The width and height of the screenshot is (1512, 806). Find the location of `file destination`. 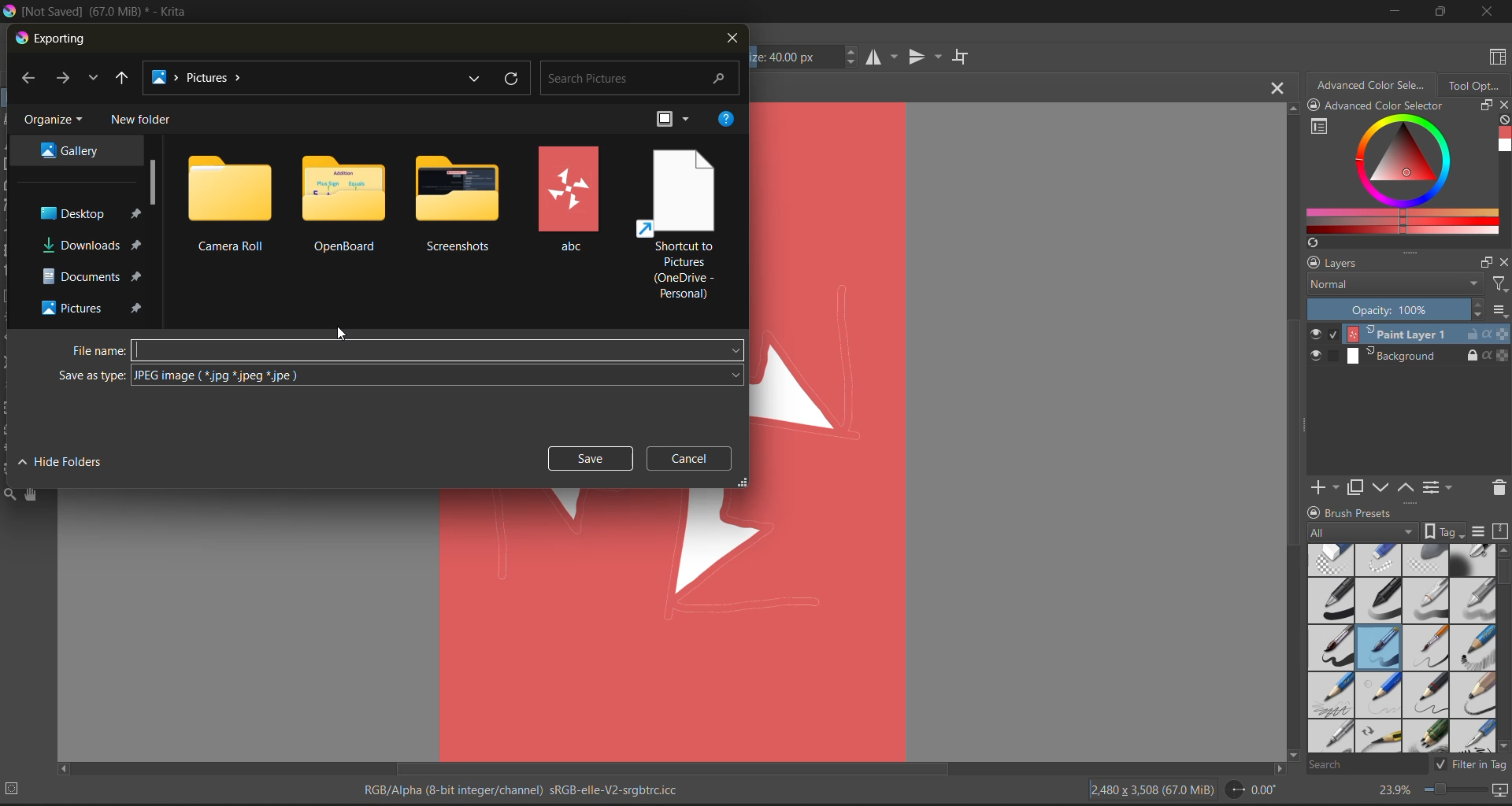

file destination is located at coordinates (92, 246).